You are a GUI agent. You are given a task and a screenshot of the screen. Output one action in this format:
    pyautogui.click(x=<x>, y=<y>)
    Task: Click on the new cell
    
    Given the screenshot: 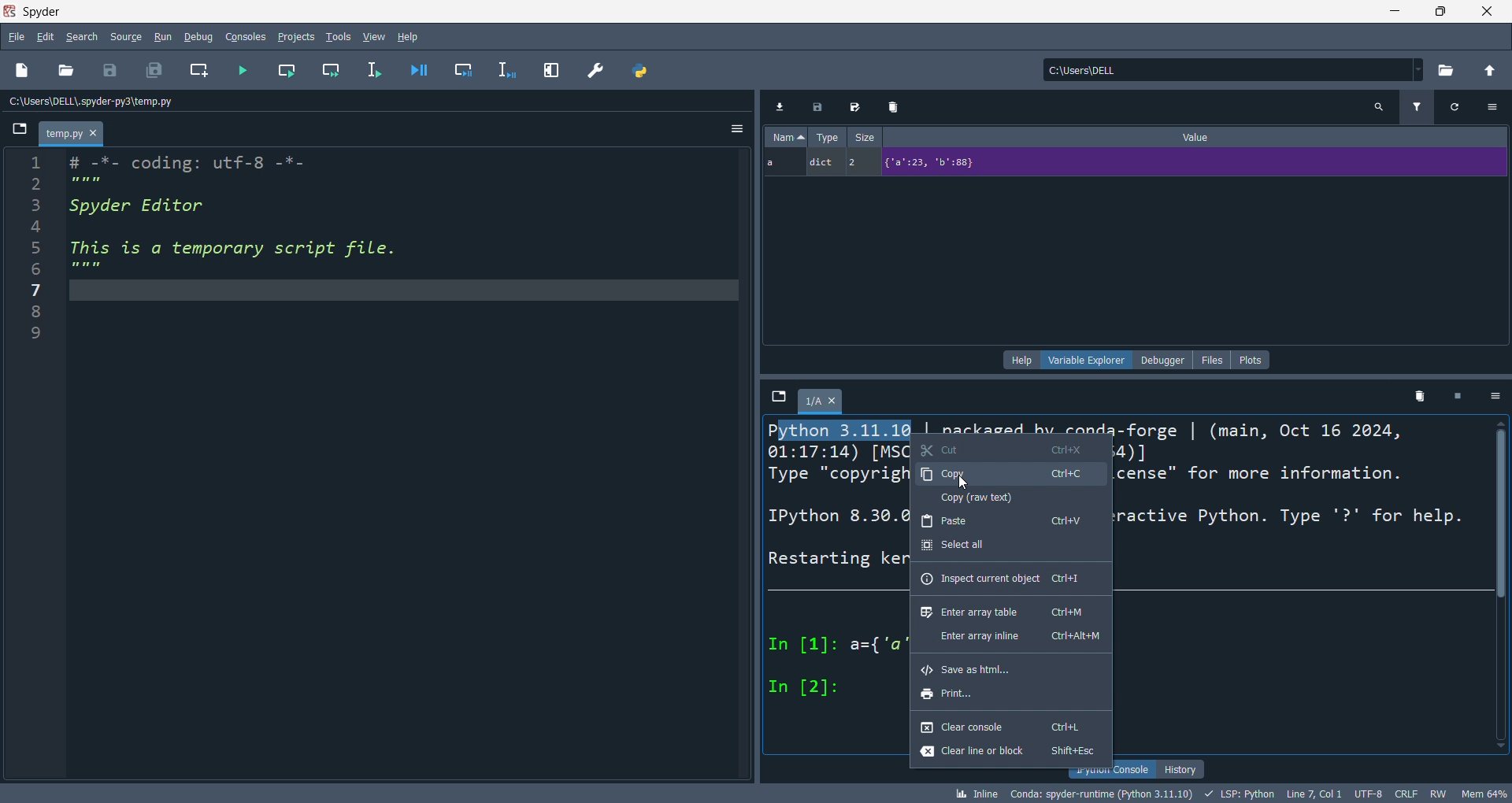 What is the action you would take?
    pyautogui.click(x=202, y=71)
    